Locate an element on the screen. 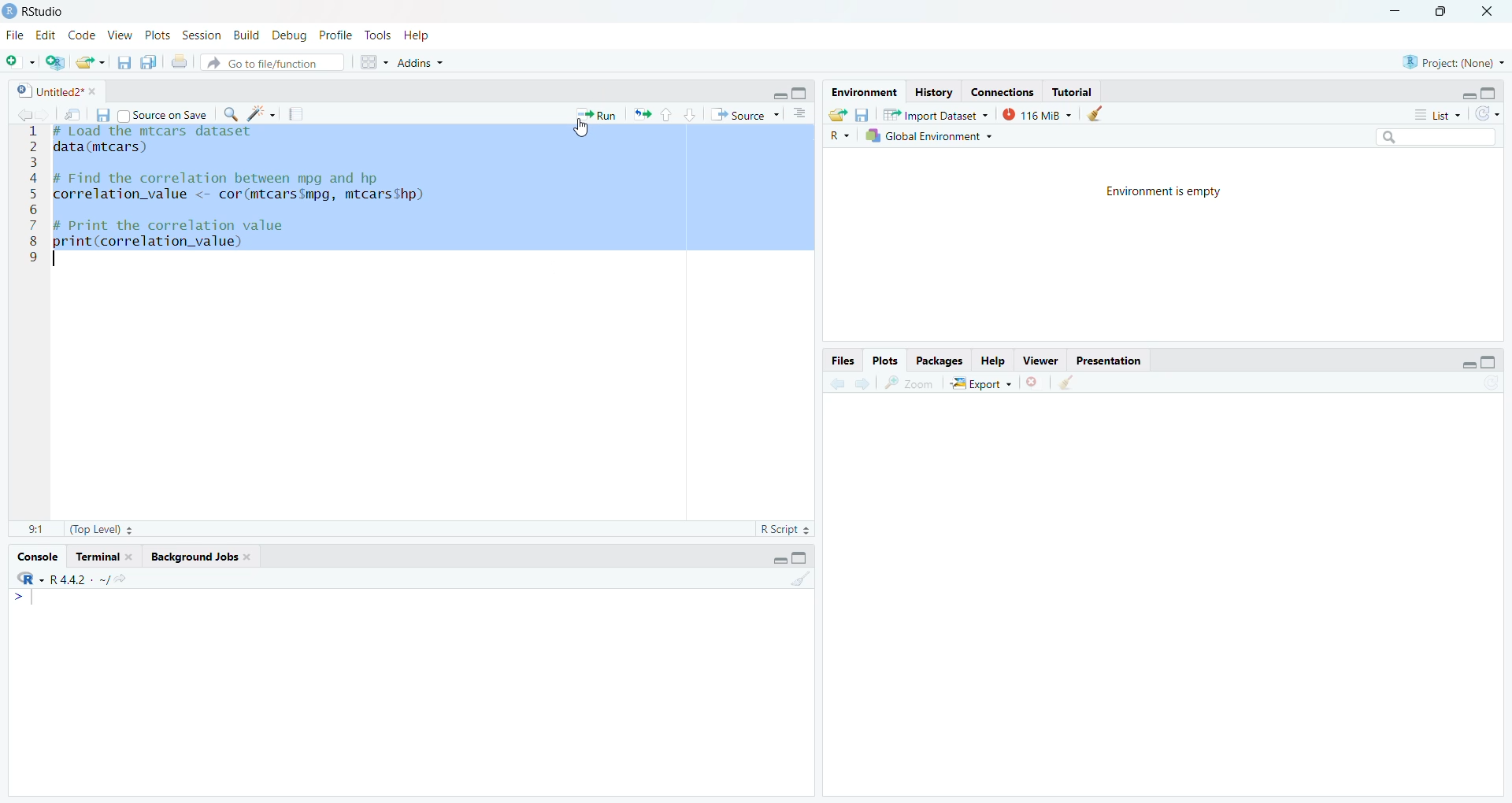 The height and width of the screenshot is (803, 1512). Untitled2* is located at coordinates (57, 90).